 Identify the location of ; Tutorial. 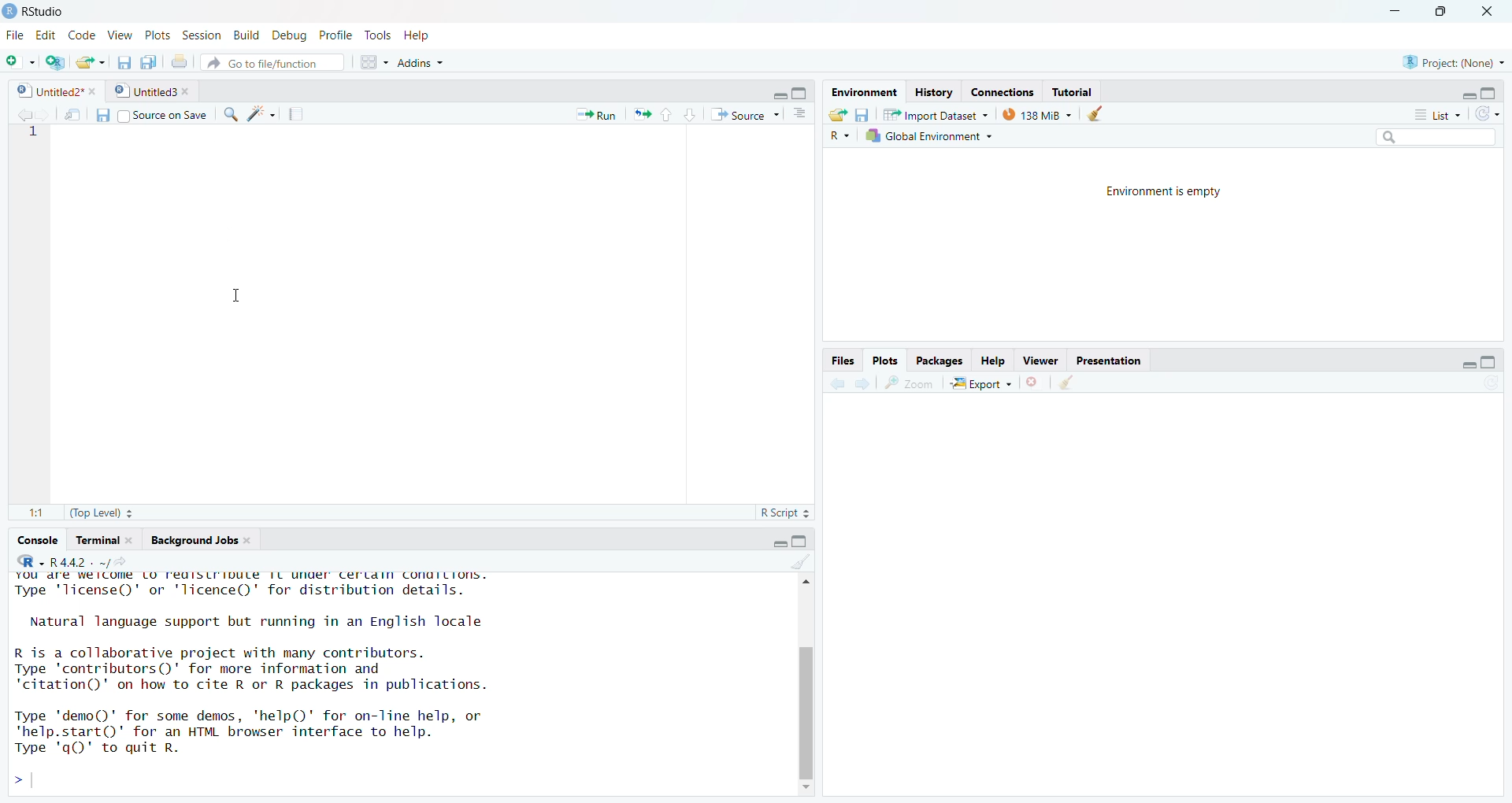
(1083, 90).